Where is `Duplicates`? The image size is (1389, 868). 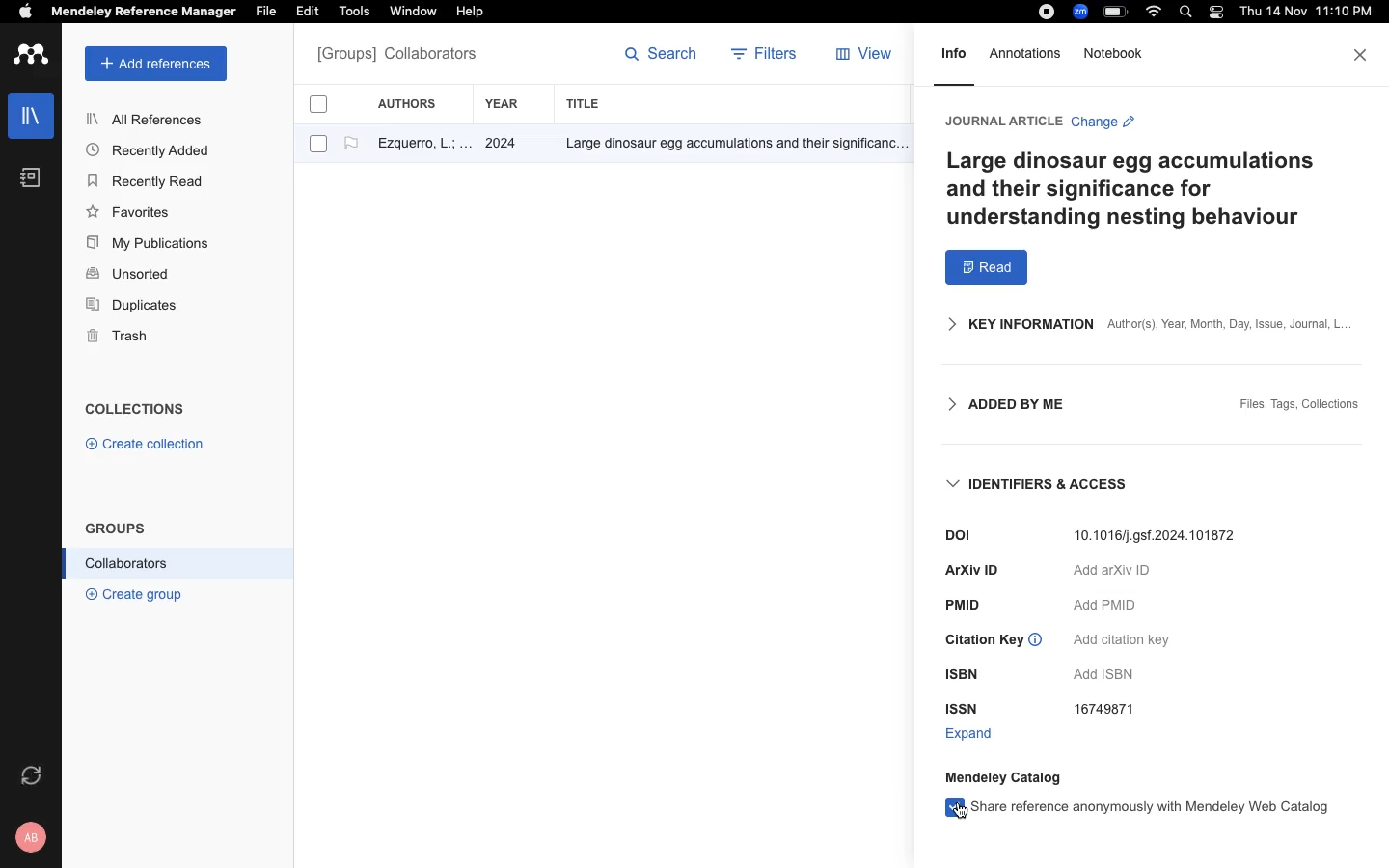 Duplicates is located at coordinates (133, 306).